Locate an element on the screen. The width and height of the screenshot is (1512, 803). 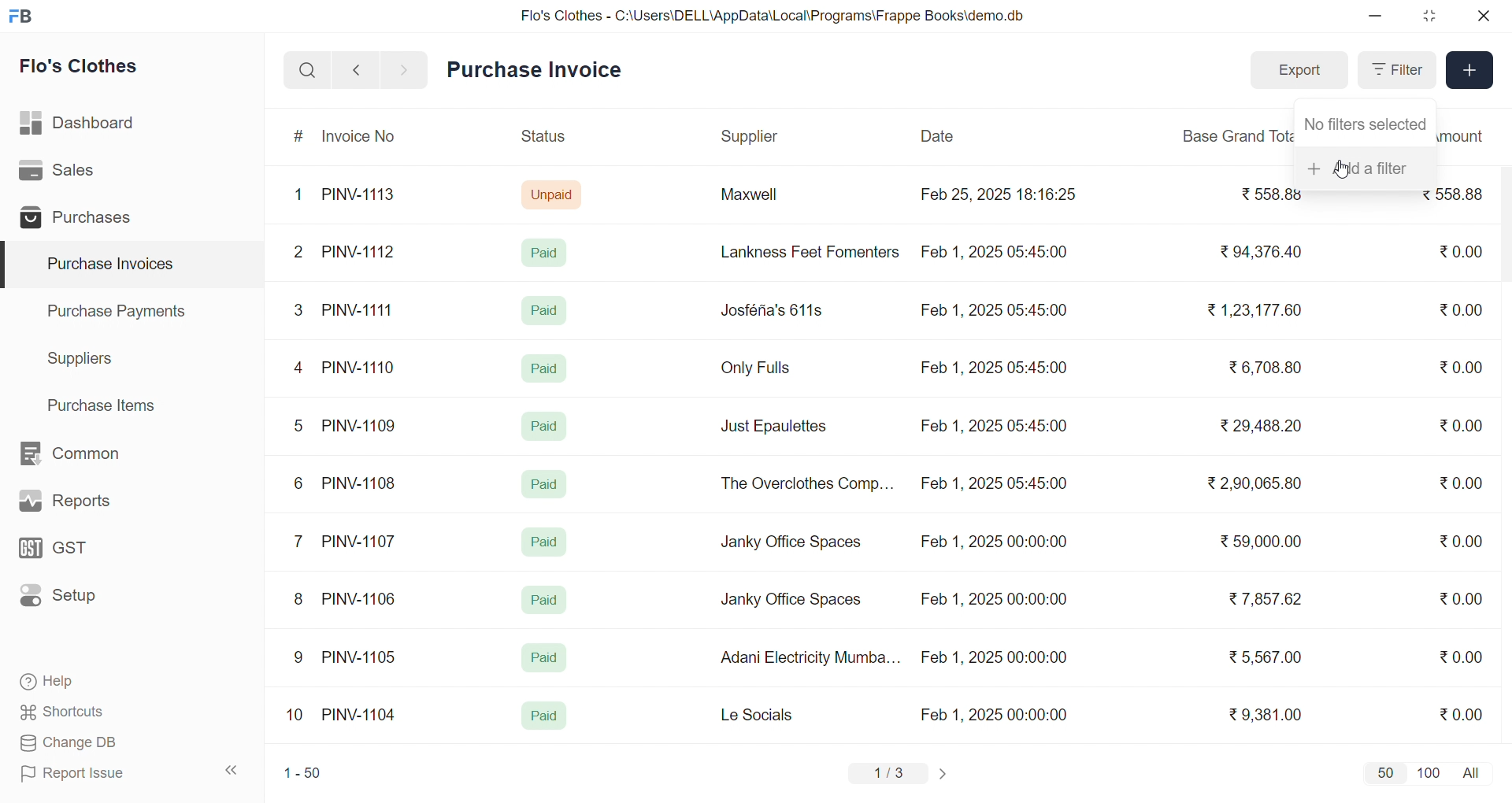
Feb 1, 2025 00:00:00 is located at coordinates (993, 544).